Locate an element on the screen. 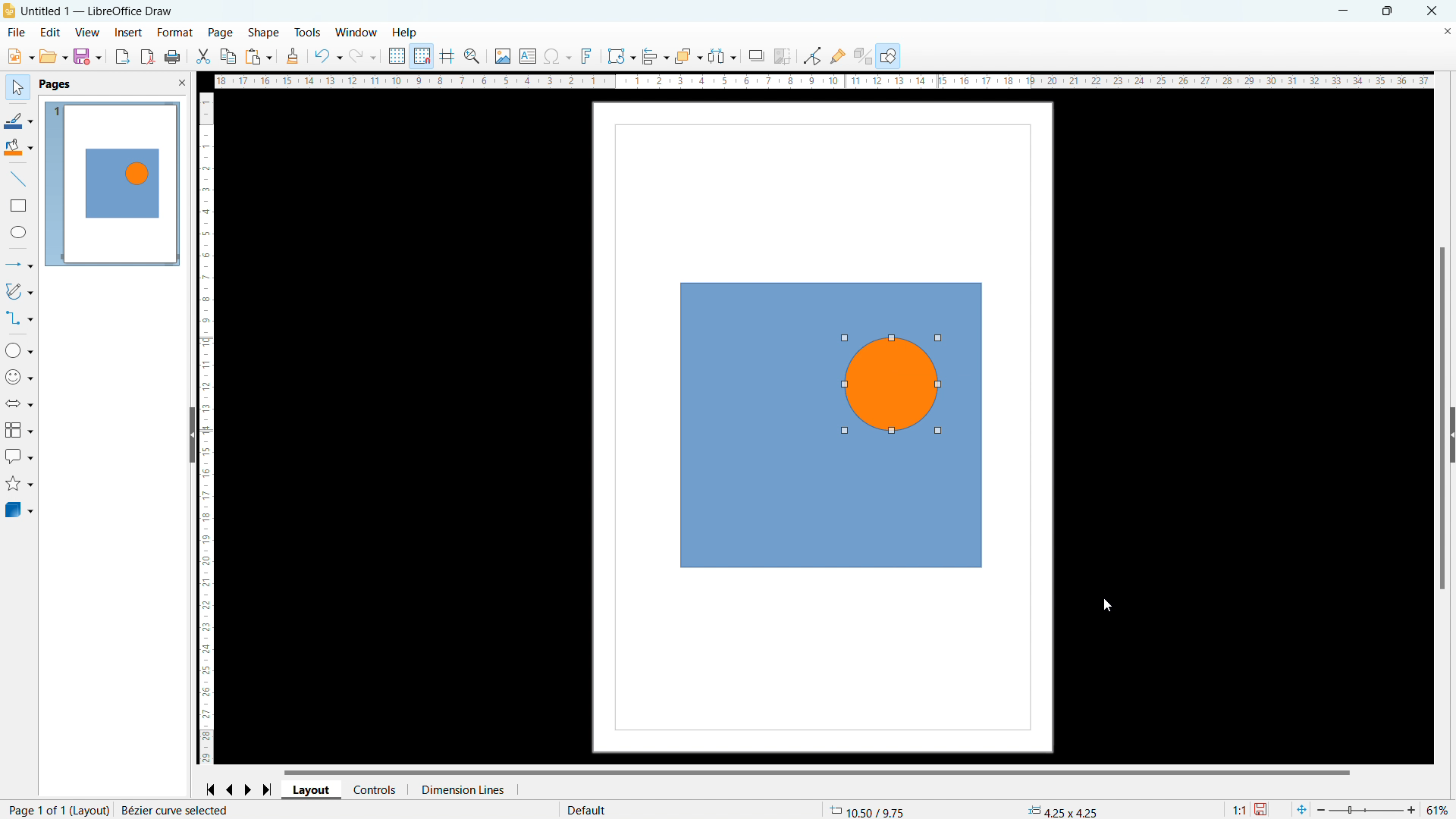 The height and width of the screenshot is (819, 1456). 3D objects is located at coordinates (17, 510).